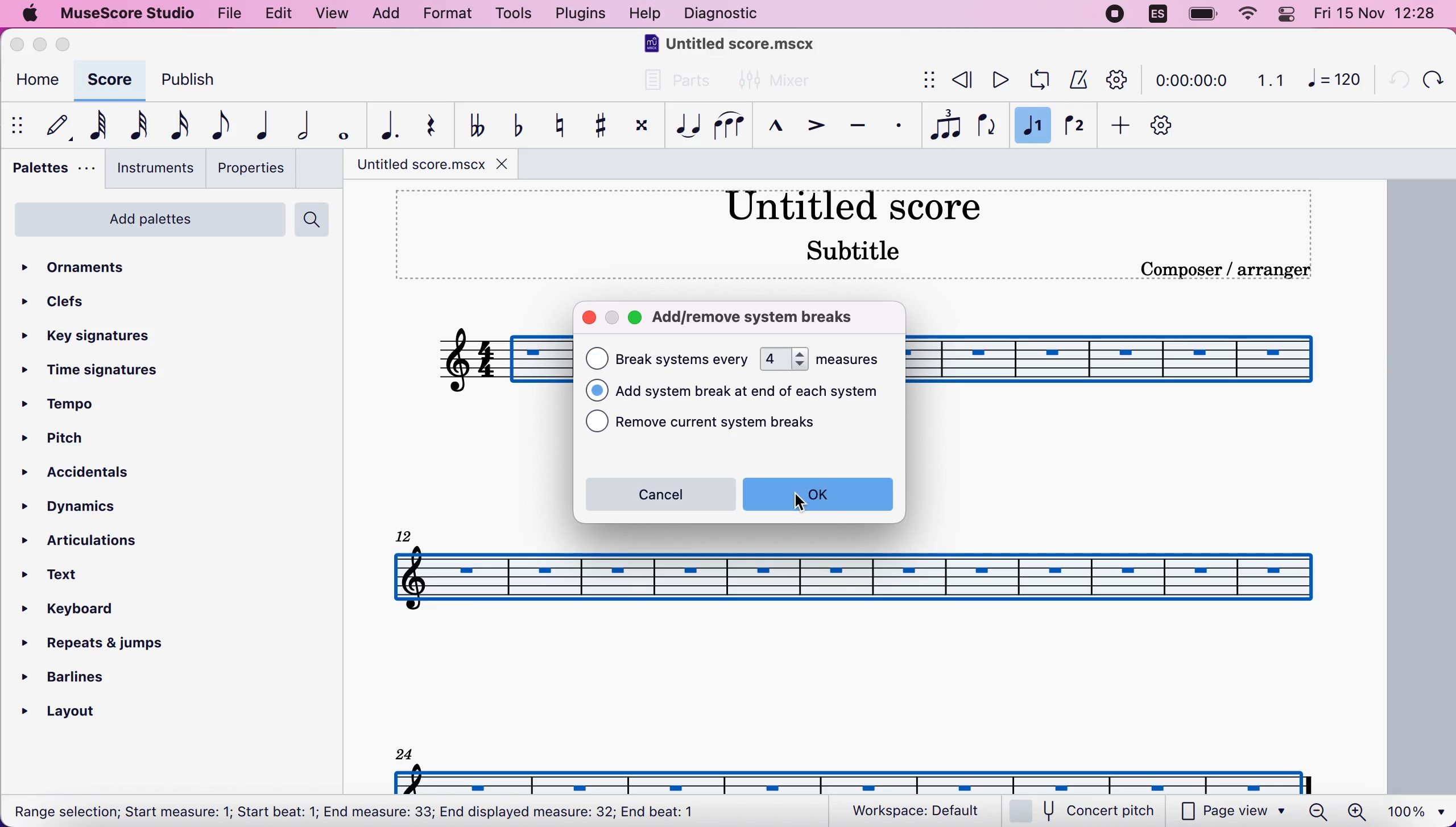  I want to click on toggle double sharp, so click(640, 128).